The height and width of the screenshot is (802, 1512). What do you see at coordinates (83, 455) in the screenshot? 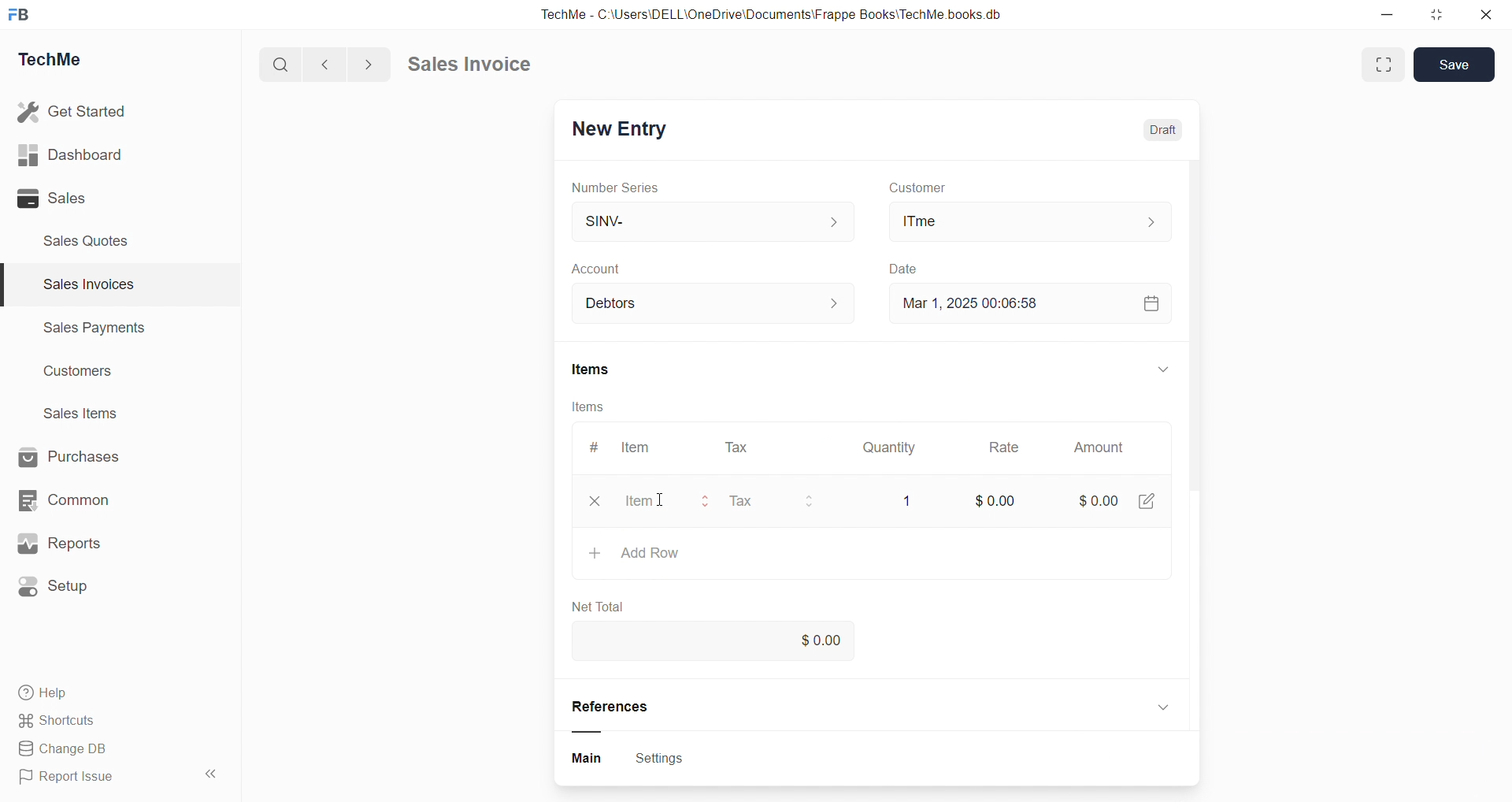
I see `Purchases` at bounding box center [83, 455].